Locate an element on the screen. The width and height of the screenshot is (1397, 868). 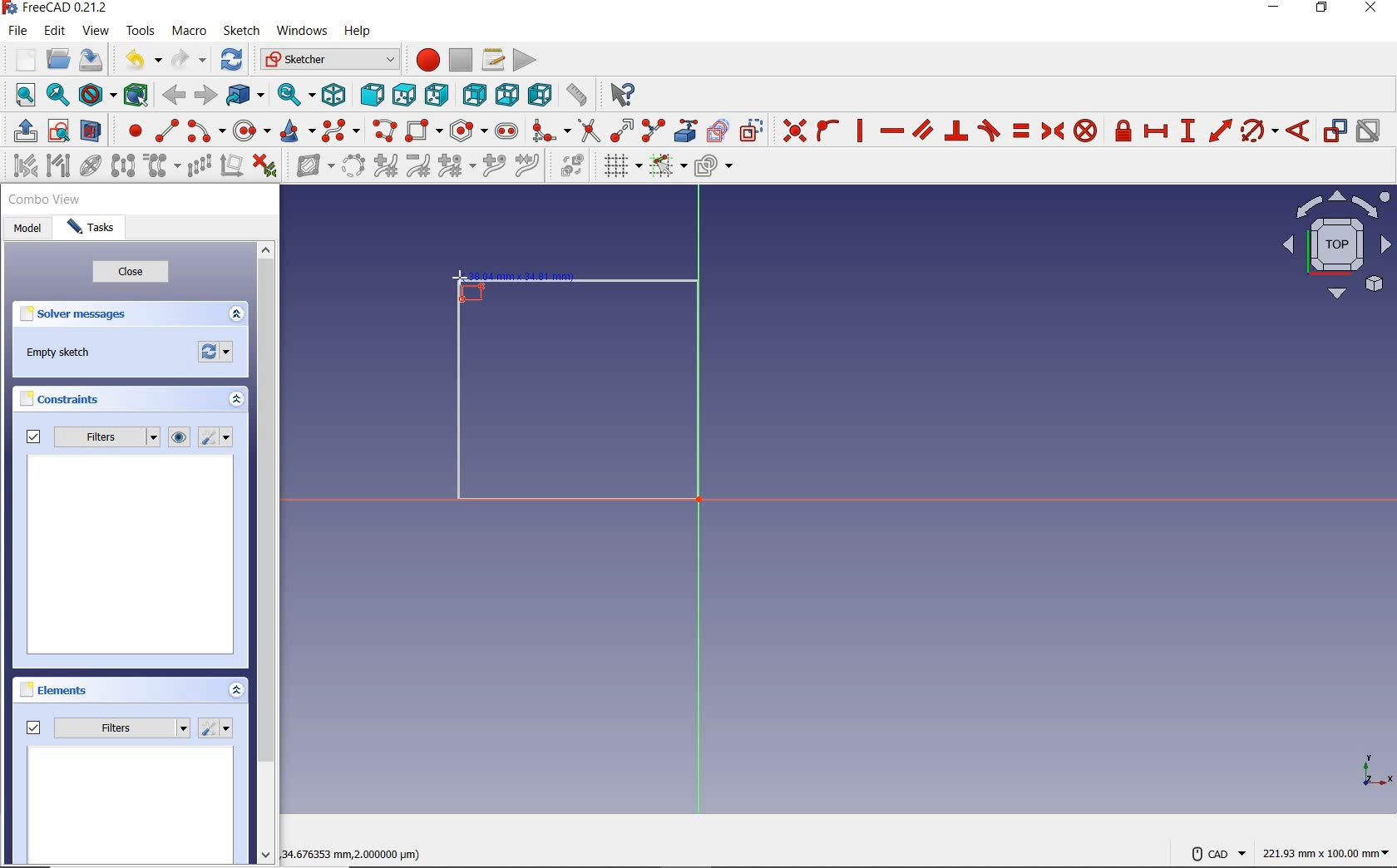
got to linked object is located at coordinates (246, 97).